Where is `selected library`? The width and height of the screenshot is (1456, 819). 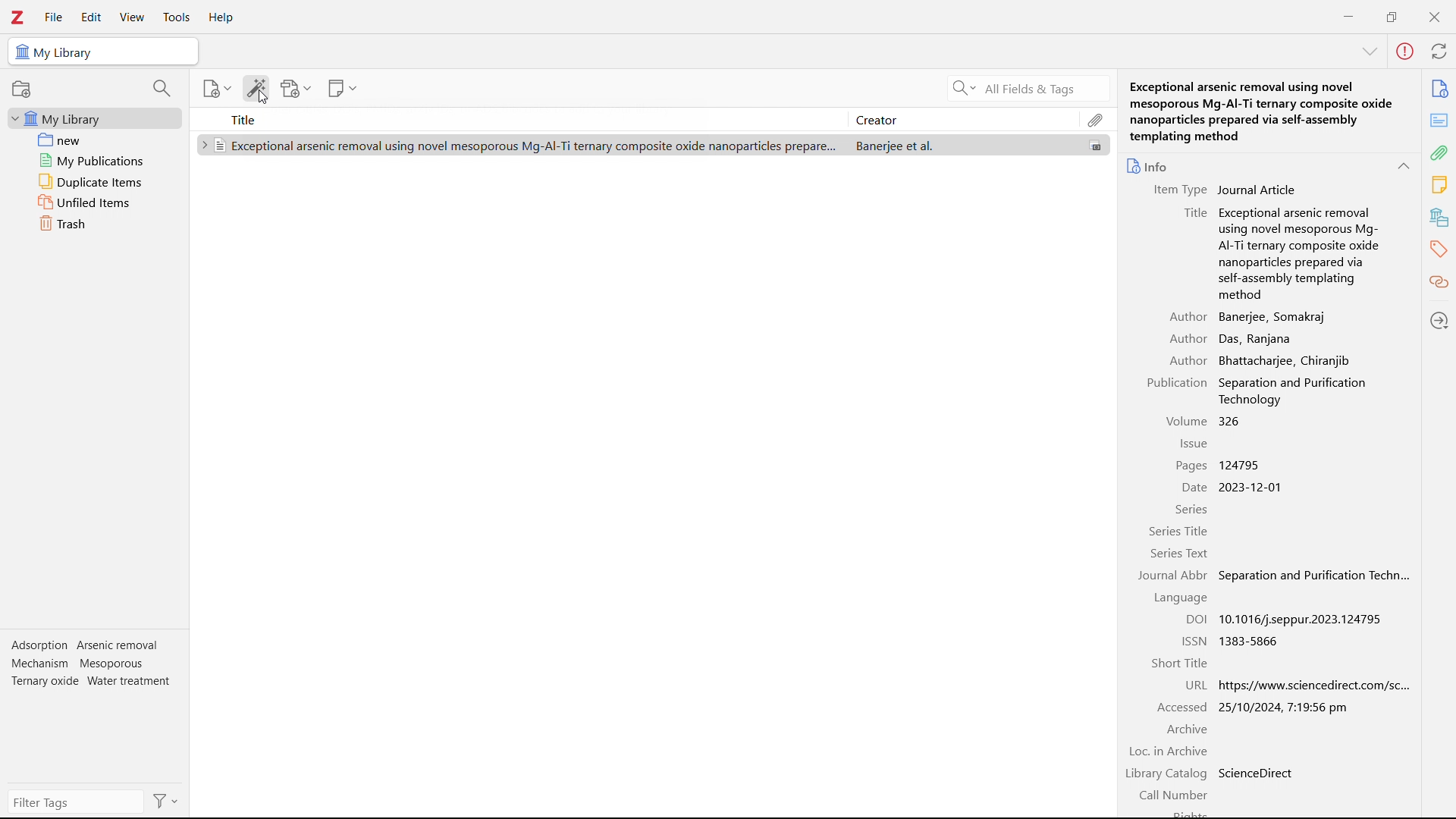 selected library is located at coordinates (102, 52).